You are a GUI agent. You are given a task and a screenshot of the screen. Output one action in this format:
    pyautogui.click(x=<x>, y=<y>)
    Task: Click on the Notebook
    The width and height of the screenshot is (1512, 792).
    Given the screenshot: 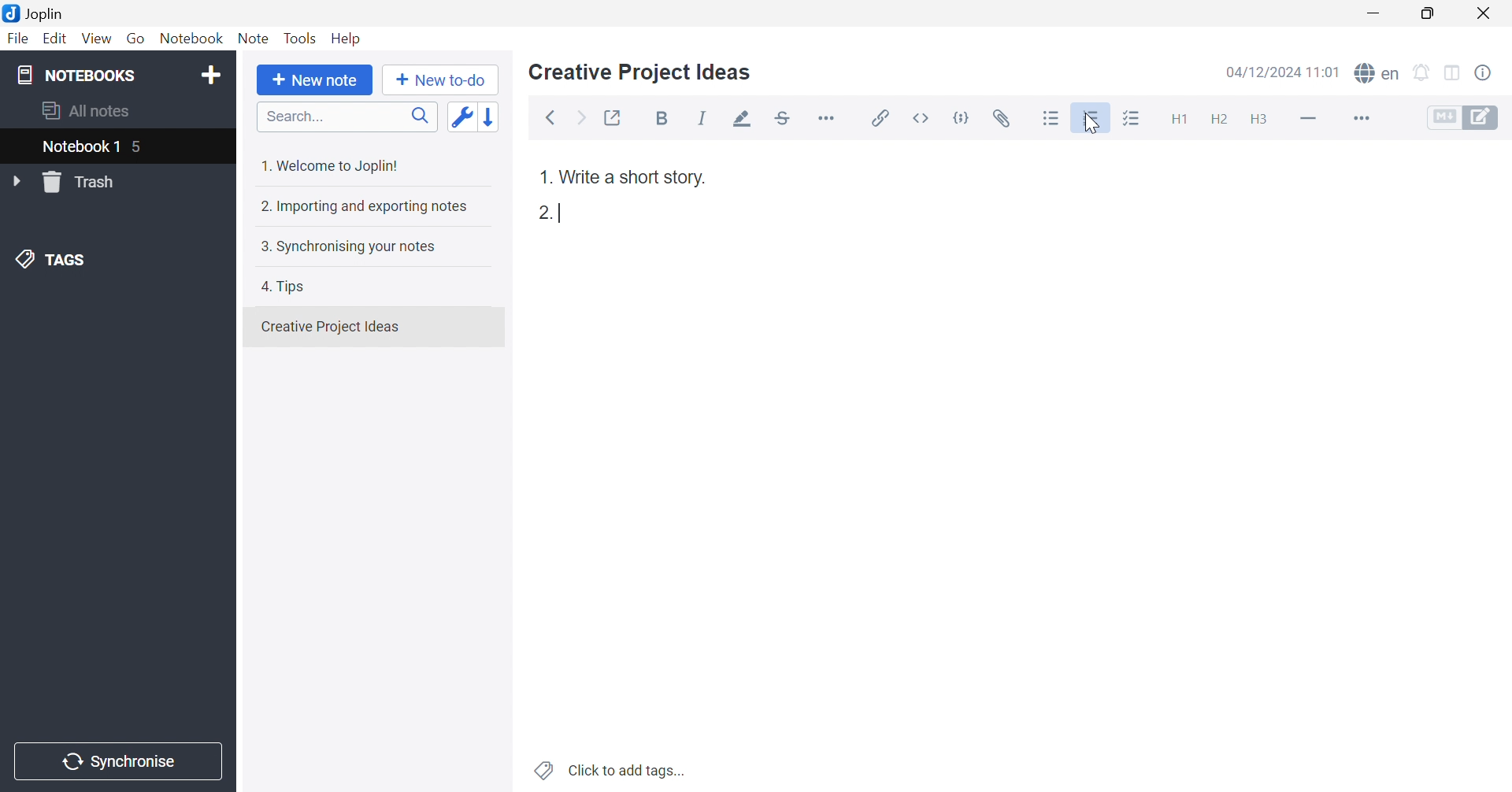 What is the action you would take?
    pyautogui.click(x=195, y=41)
    